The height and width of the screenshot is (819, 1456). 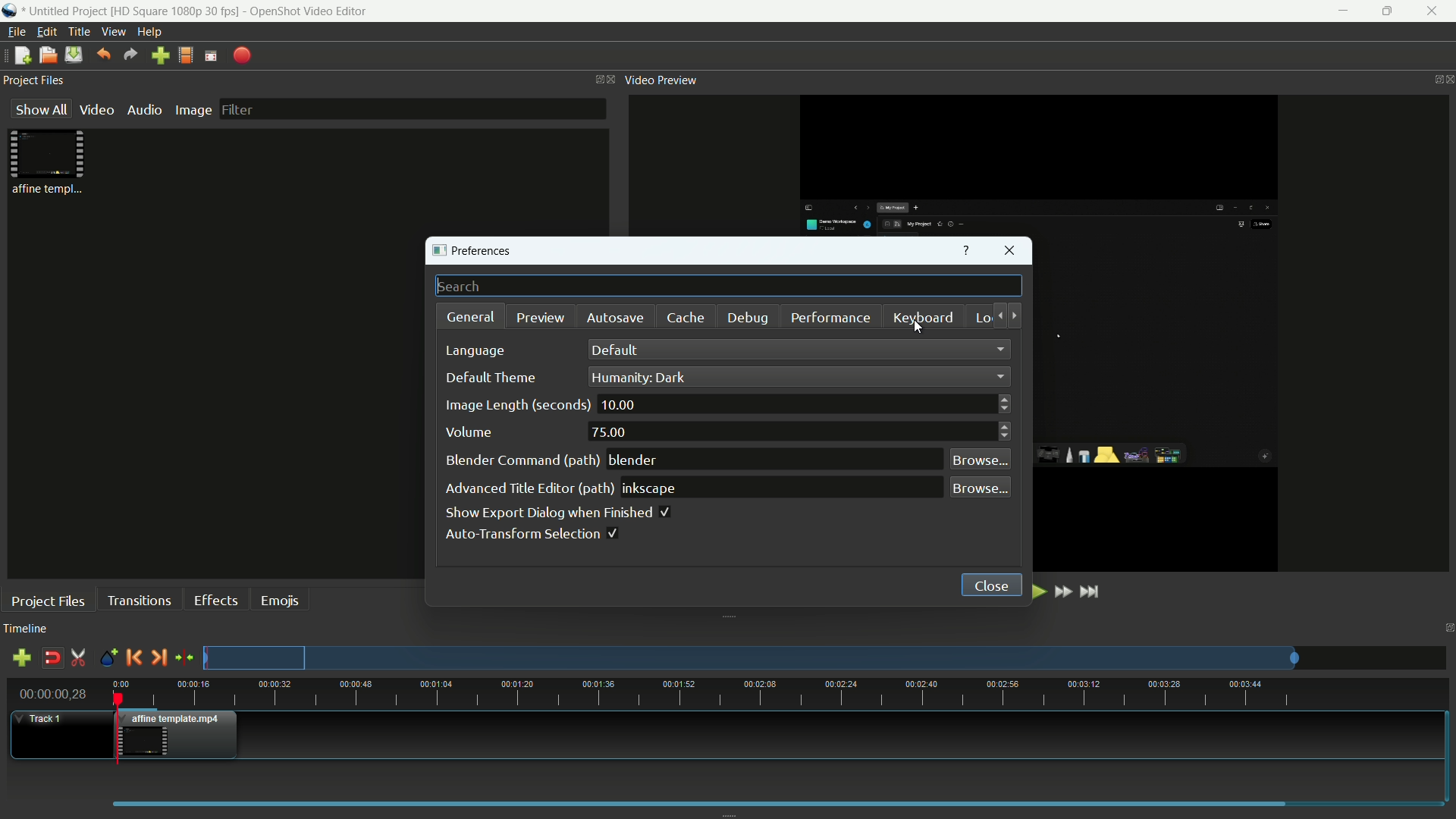 What do you see at coordinates (114, 32) in the screenshot?
I see `view menu` at bounding box center [114, 32].